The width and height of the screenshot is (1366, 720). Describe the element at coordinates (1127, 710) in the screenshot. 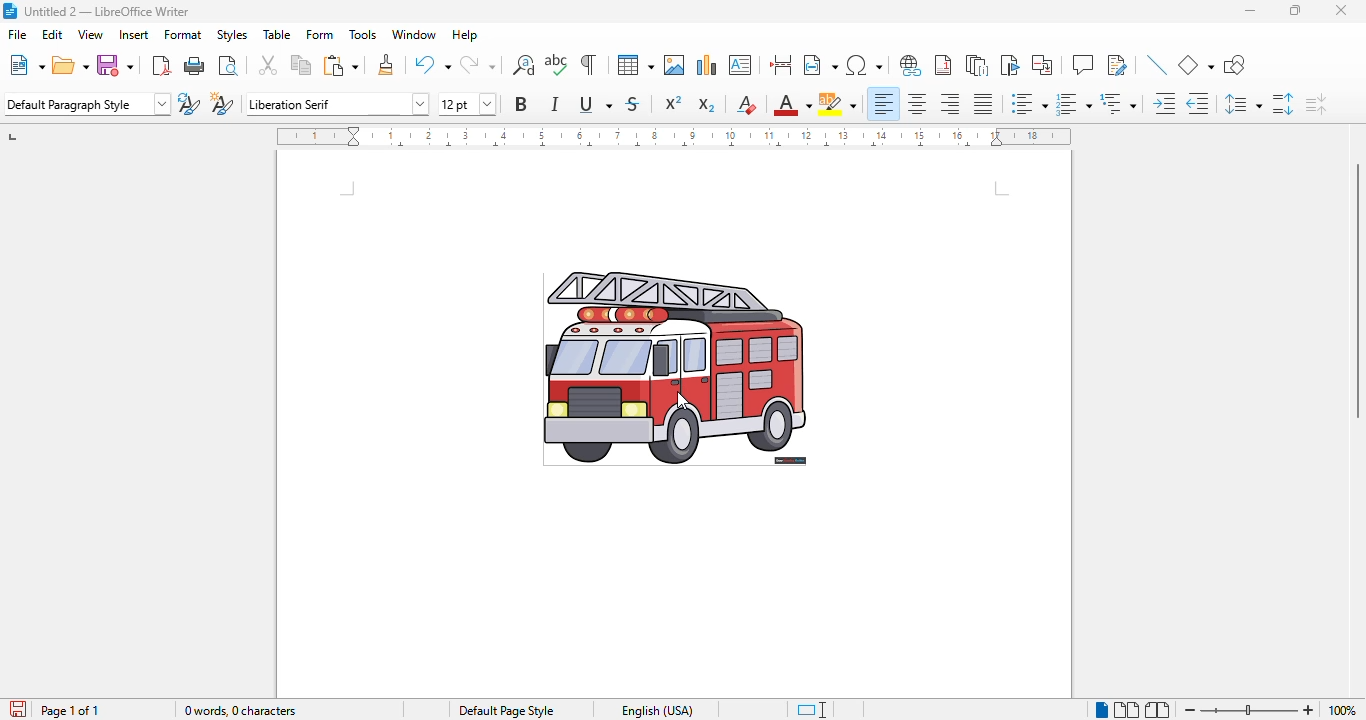

I see `multi-page view` at that location.